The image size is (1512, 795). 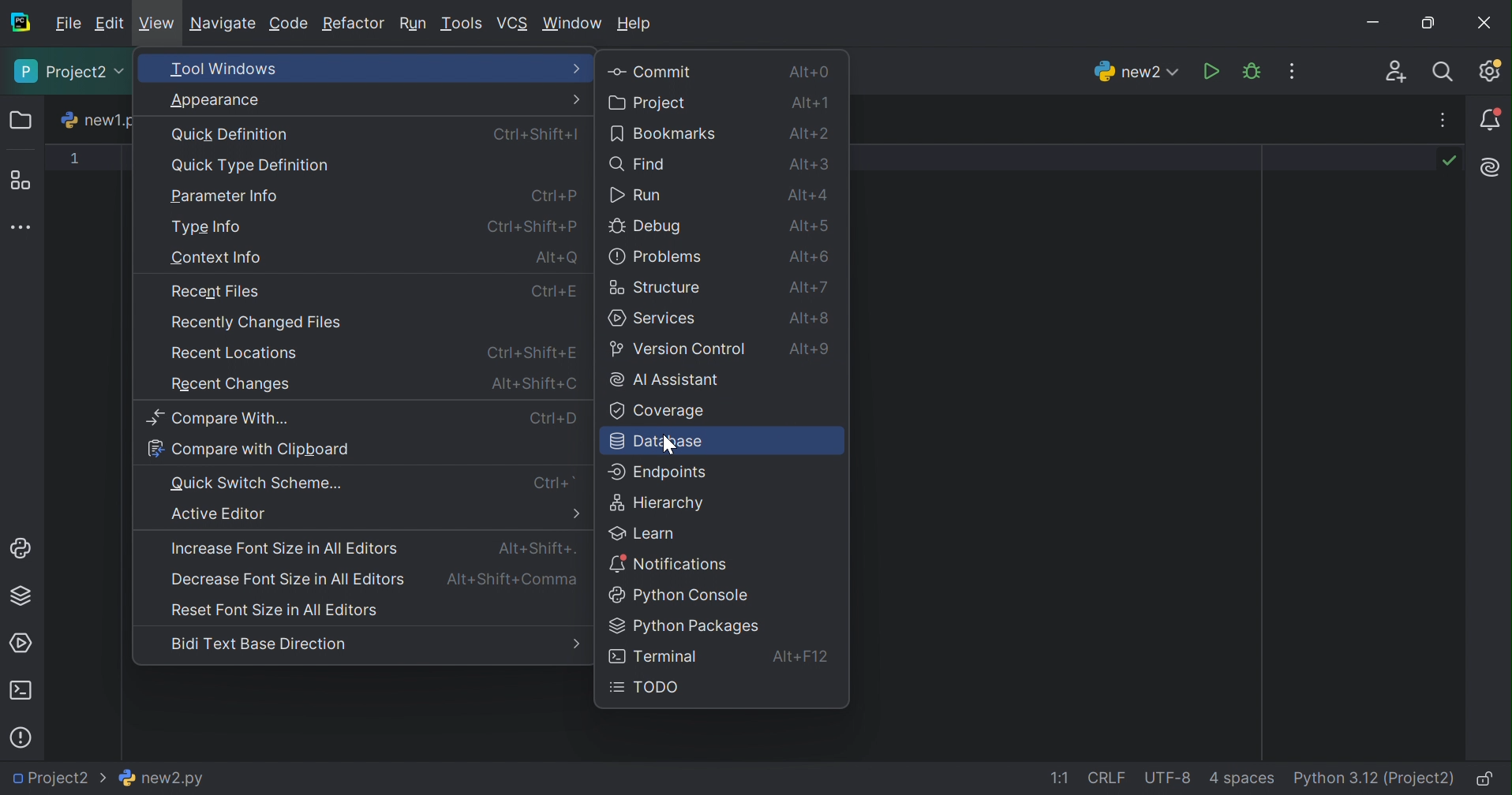 I want to click on Increase font size in all editors., so click(x=285, y=547).